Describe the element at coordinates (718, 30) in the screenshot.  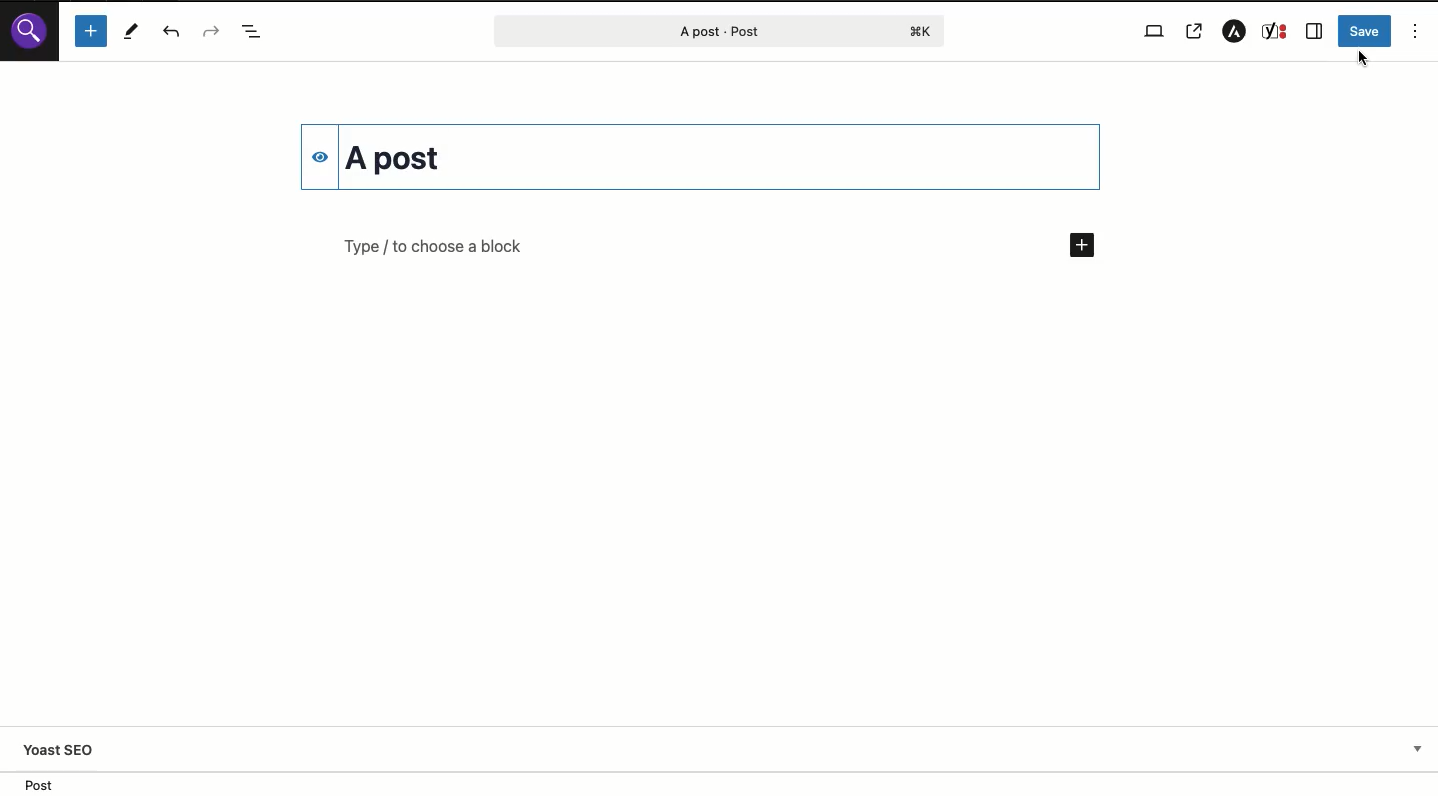
I see `Post` at that location.